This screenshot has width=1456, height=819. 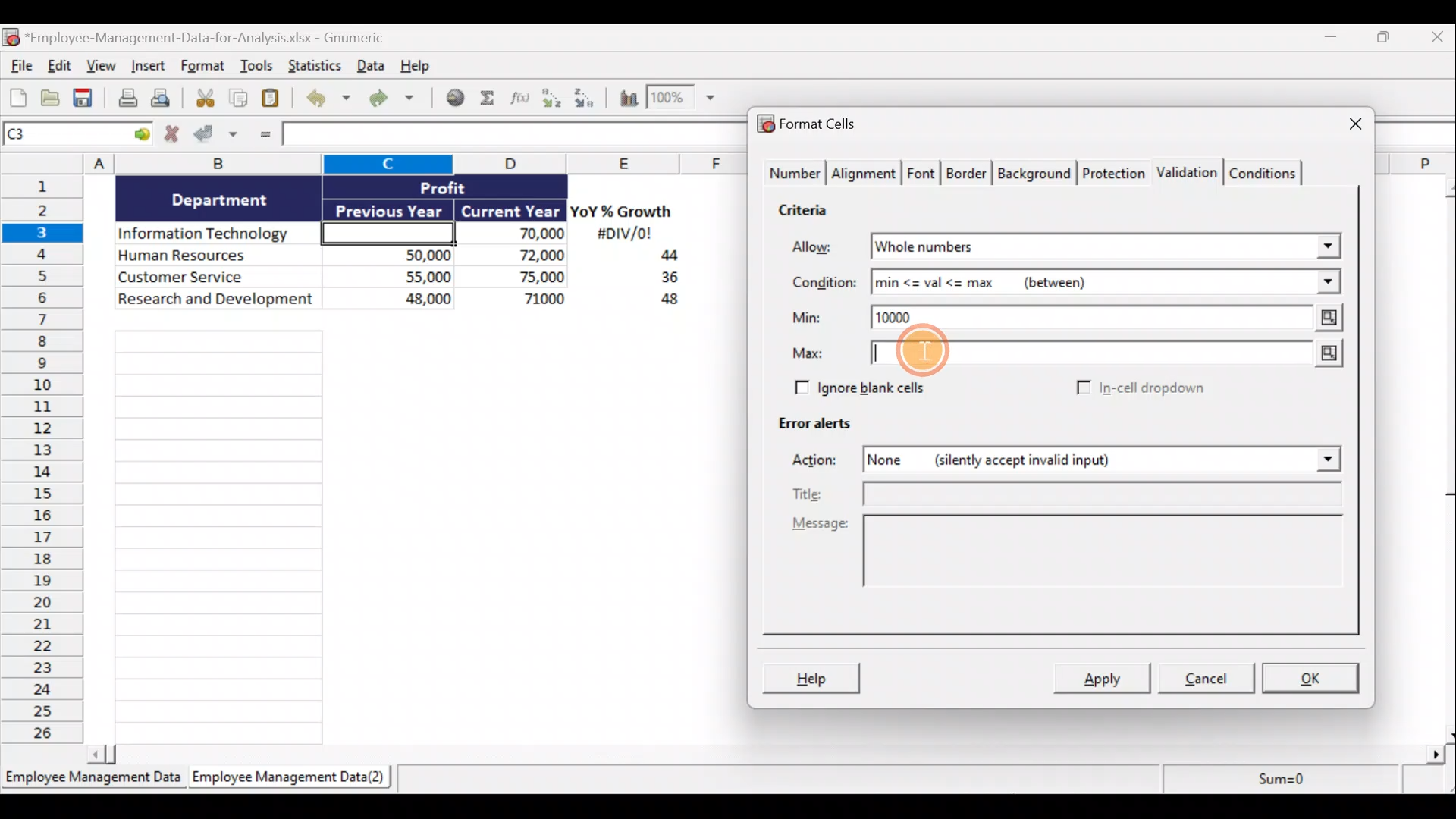 What do you see at coordinates (203, 68) in the screenshot?
I see `Format` at bounding box center [203, 68].